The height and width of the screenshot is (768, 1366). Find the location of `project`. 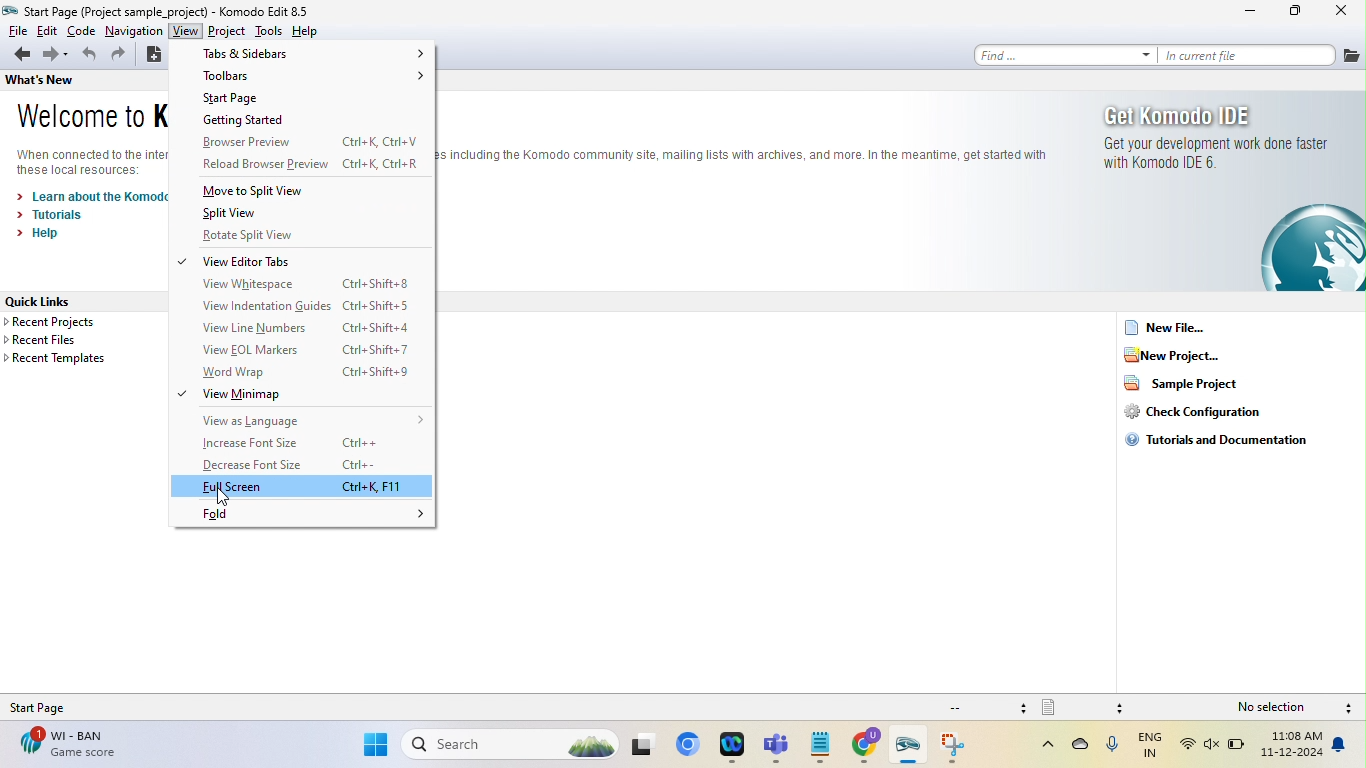

project is located at coordinates (228, 32).